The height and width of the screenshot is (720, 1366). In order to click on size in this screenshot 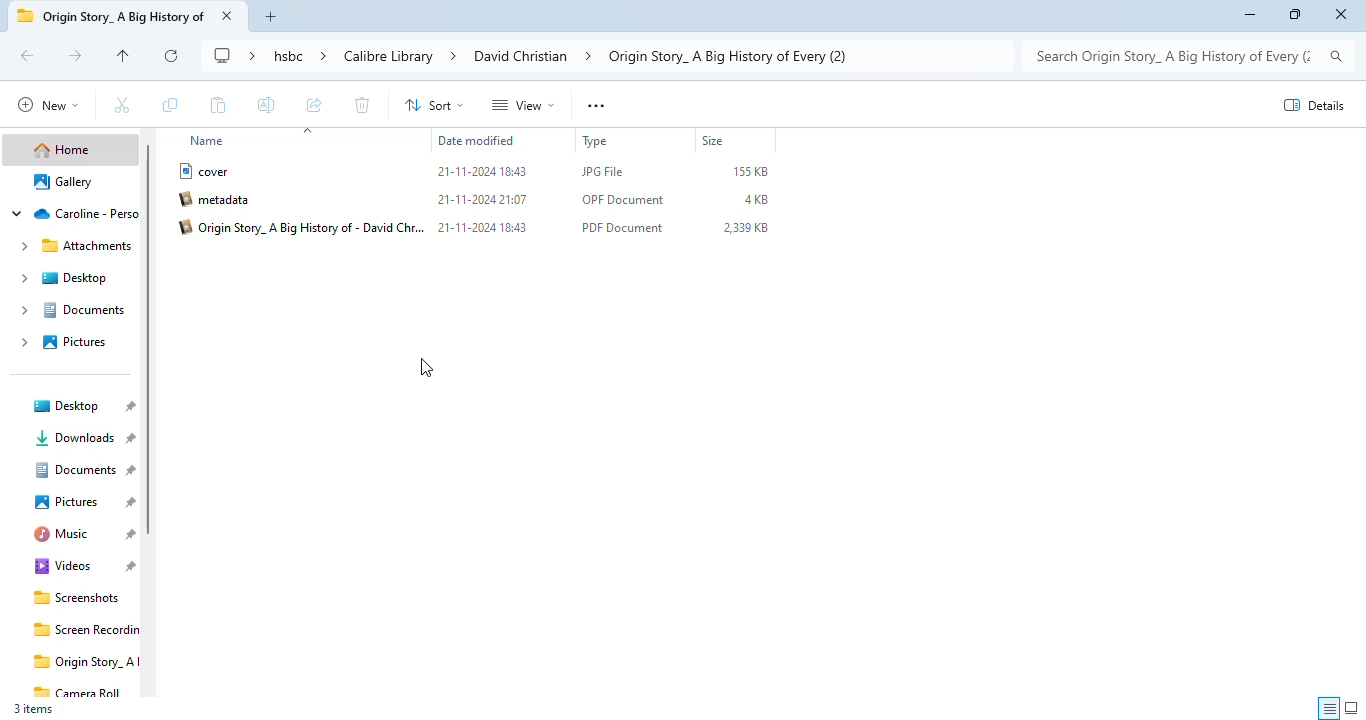, I will do `click(752, 172)`.